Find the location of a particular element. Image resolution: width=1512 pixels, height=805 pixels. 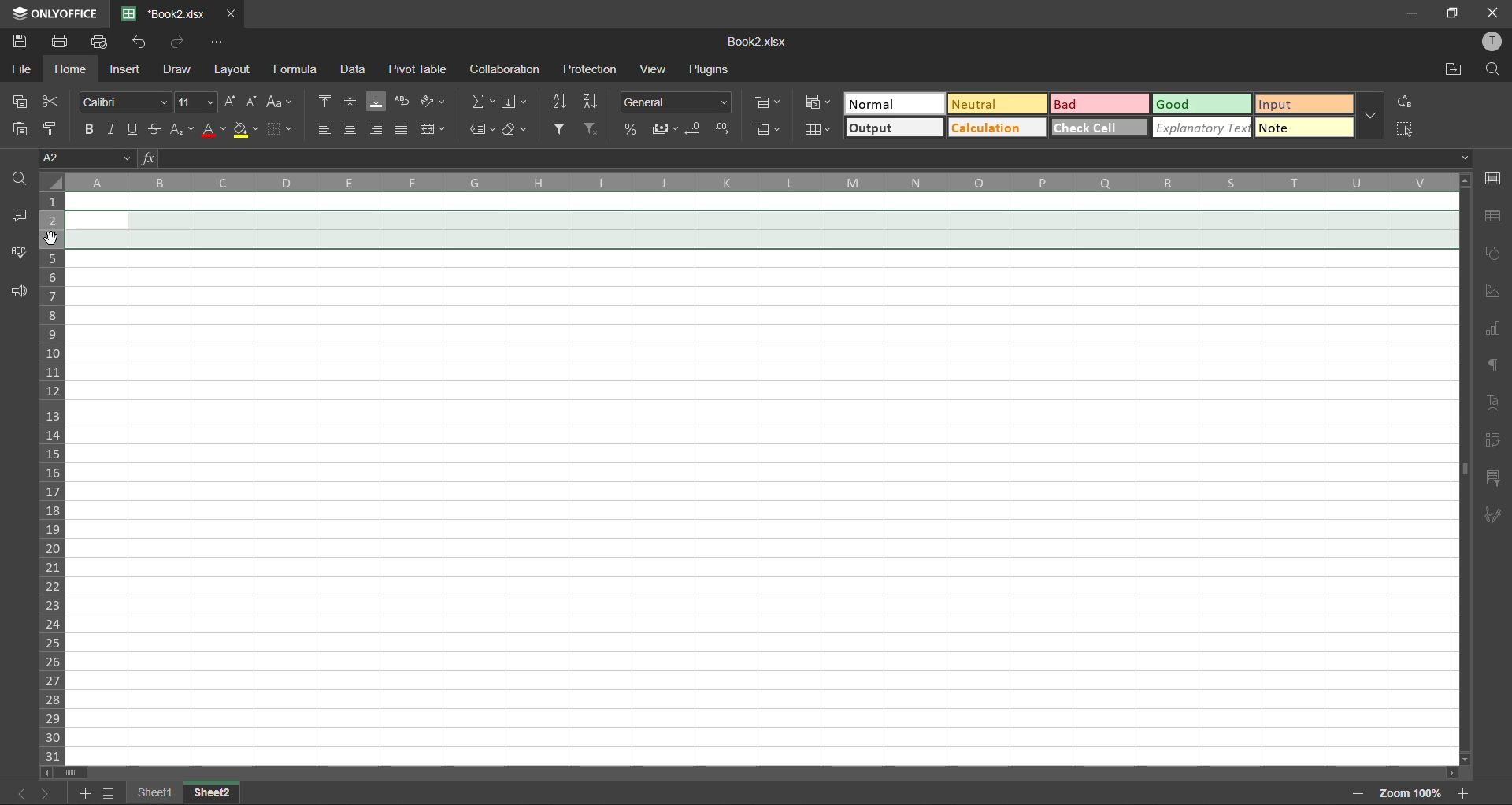

next is located at coordinates (46, 795).